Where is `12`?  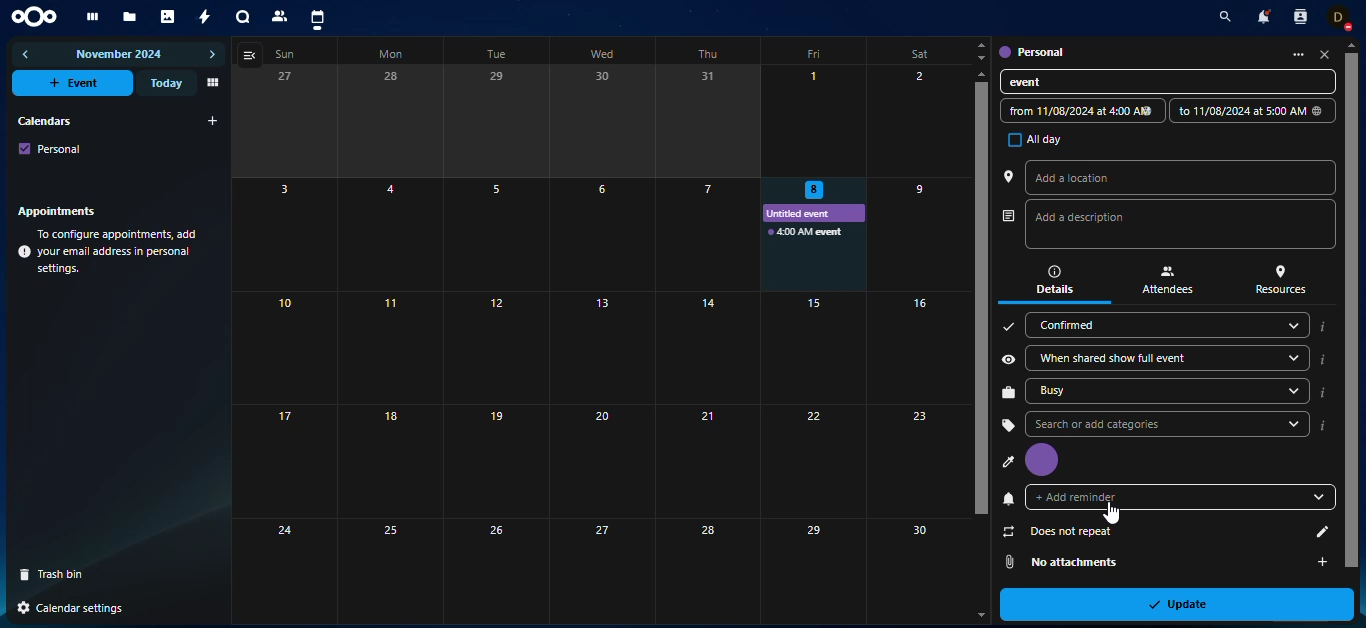 12 is located at coordinates (491, 347).